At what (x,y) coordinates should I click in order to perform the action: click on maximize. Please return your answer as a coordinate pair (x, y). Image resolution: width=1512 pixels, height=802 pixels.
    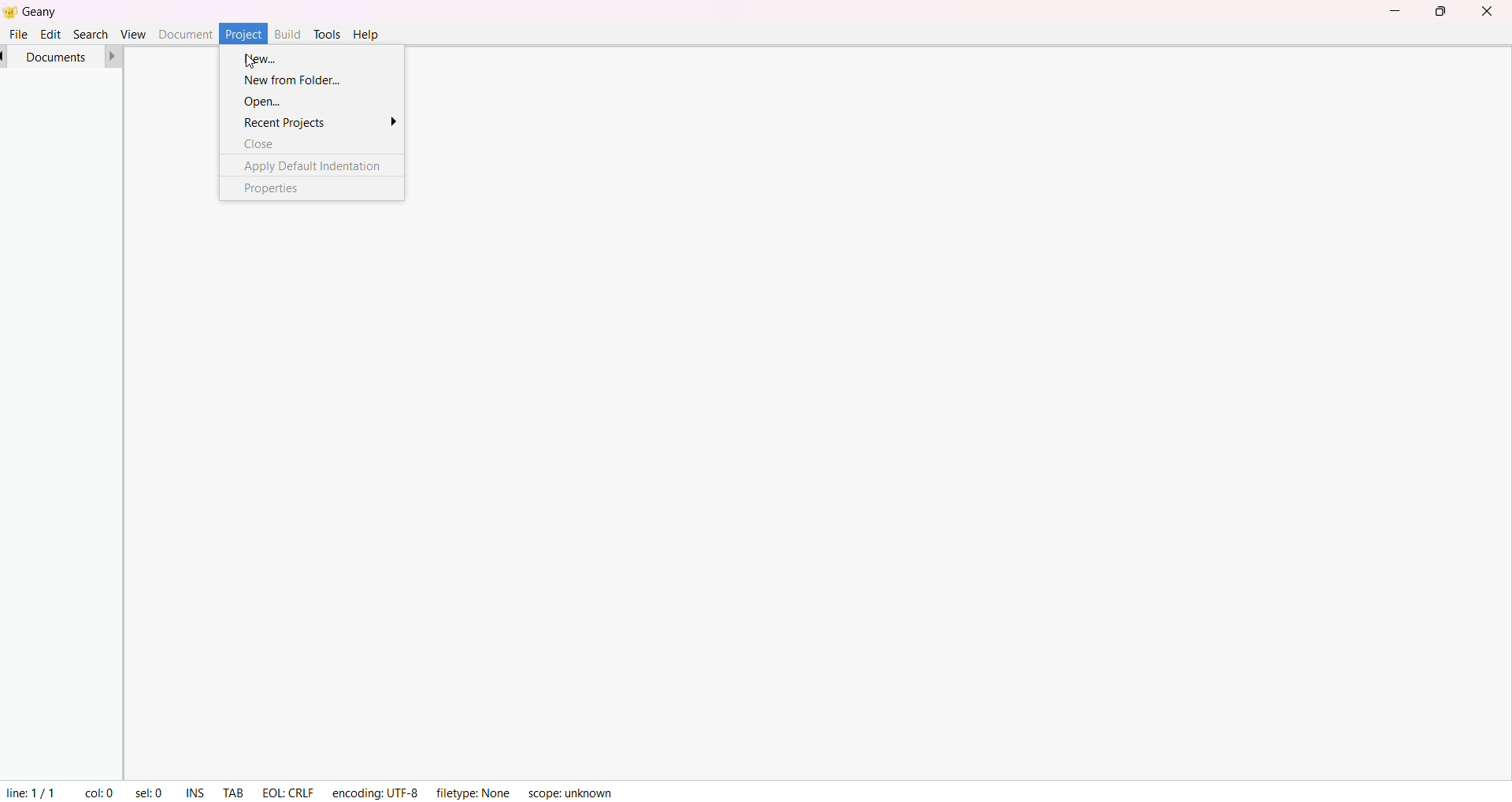
    Looking at the image, I should click on (1440, 12).